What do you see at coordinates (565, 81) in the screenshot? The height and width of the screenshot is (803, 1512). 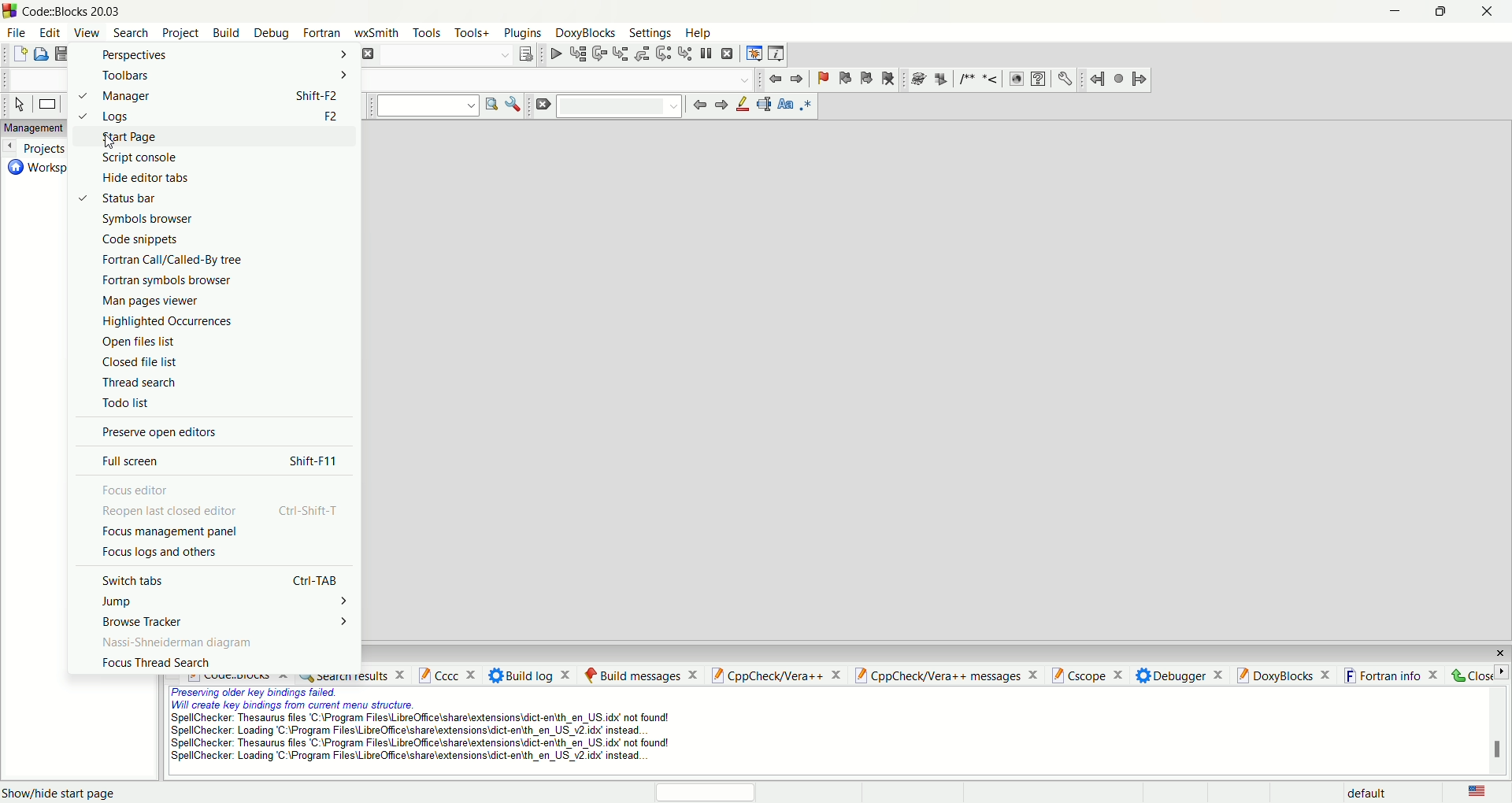 I see `Code completion compiler` at bounding box center [565, 81].